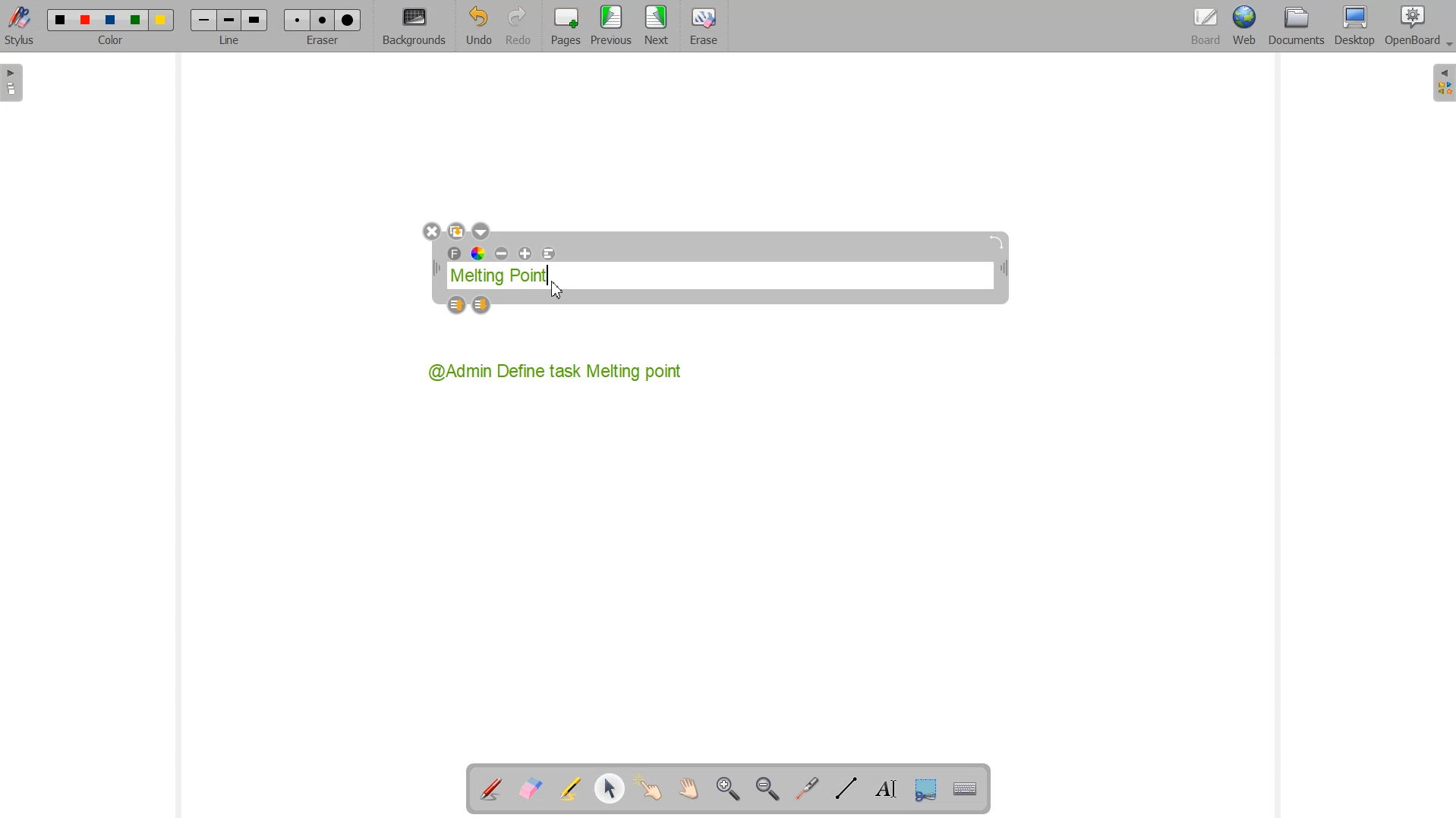 This screenshot has height=818, width=1456. What do you see at coordinates (923, 788) in the screenshot?
I see `Capture part of the screen` at bounding box center [923, 788].